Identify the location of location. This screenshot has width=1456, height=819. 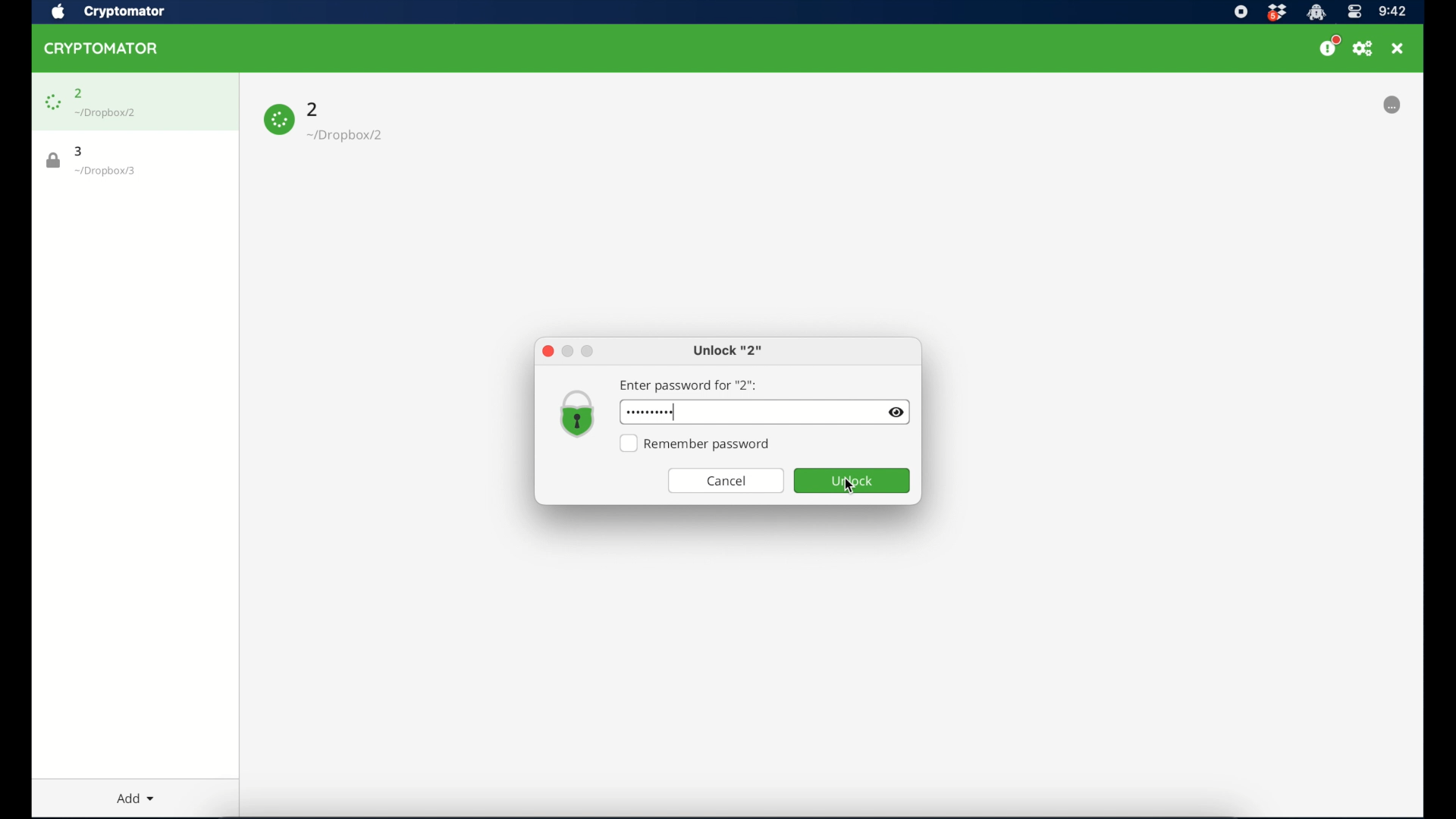
(105, 171).